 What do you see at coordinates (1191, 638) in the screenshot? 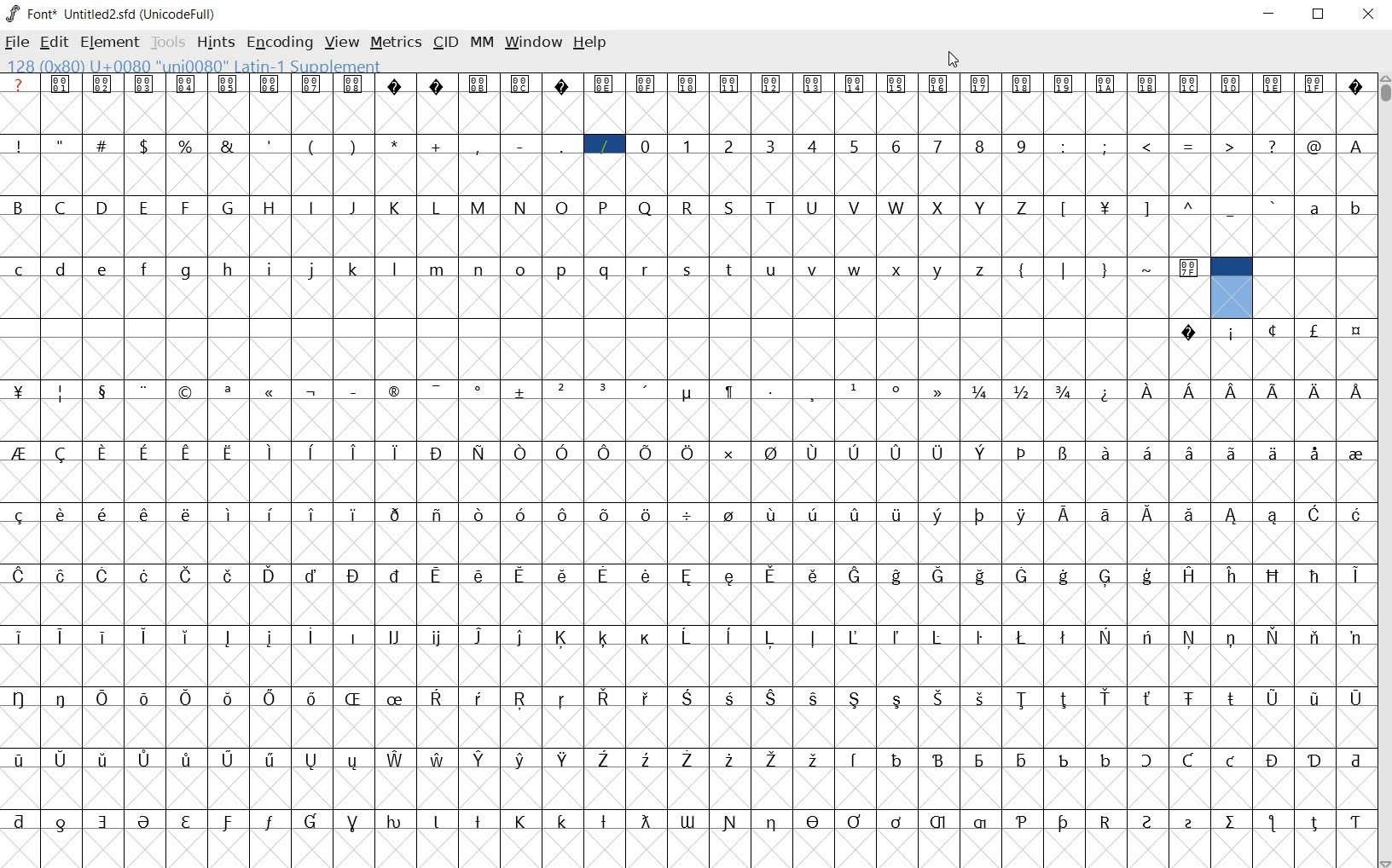
I see `Symbol` at bounding box center [1191, 638].